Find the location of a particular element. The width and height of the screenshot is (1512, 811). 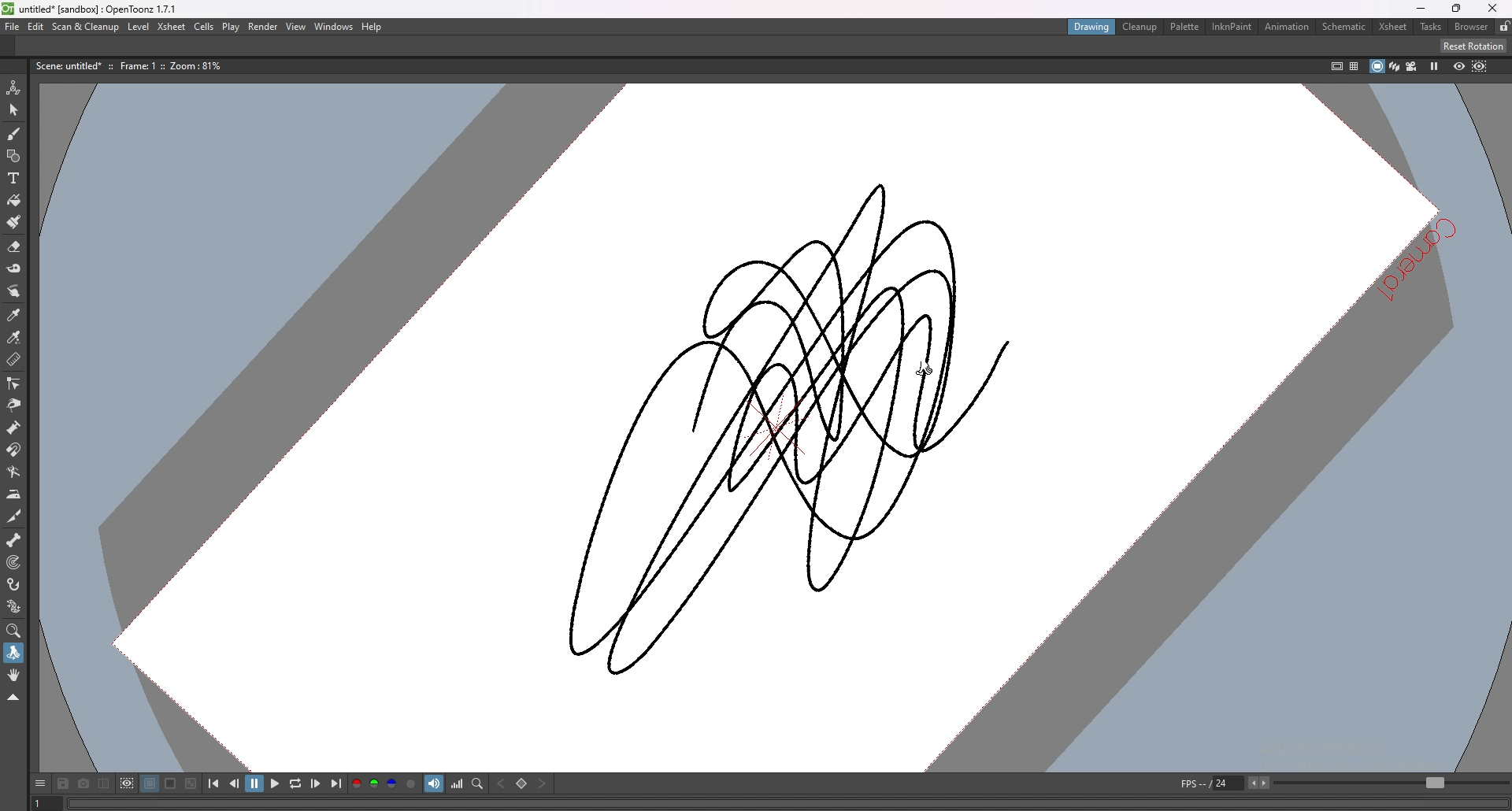

fps is located at coordinates (1223, 783).